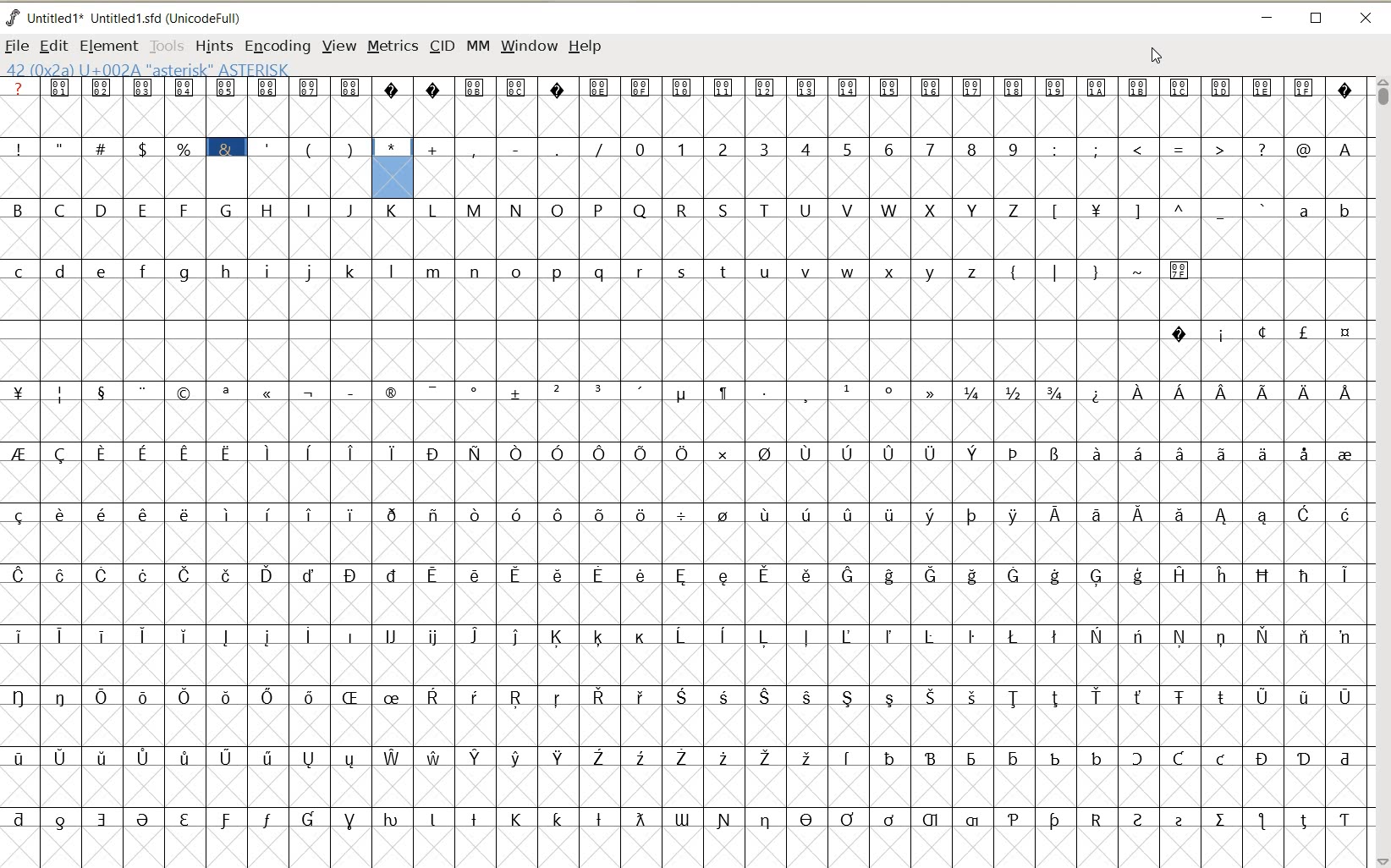 Image resolution: width=1391 pixels, height=868 pixels. Describe the element at coordinates (1156, 57) in the screenshot. I see `CURSOR` at that location.